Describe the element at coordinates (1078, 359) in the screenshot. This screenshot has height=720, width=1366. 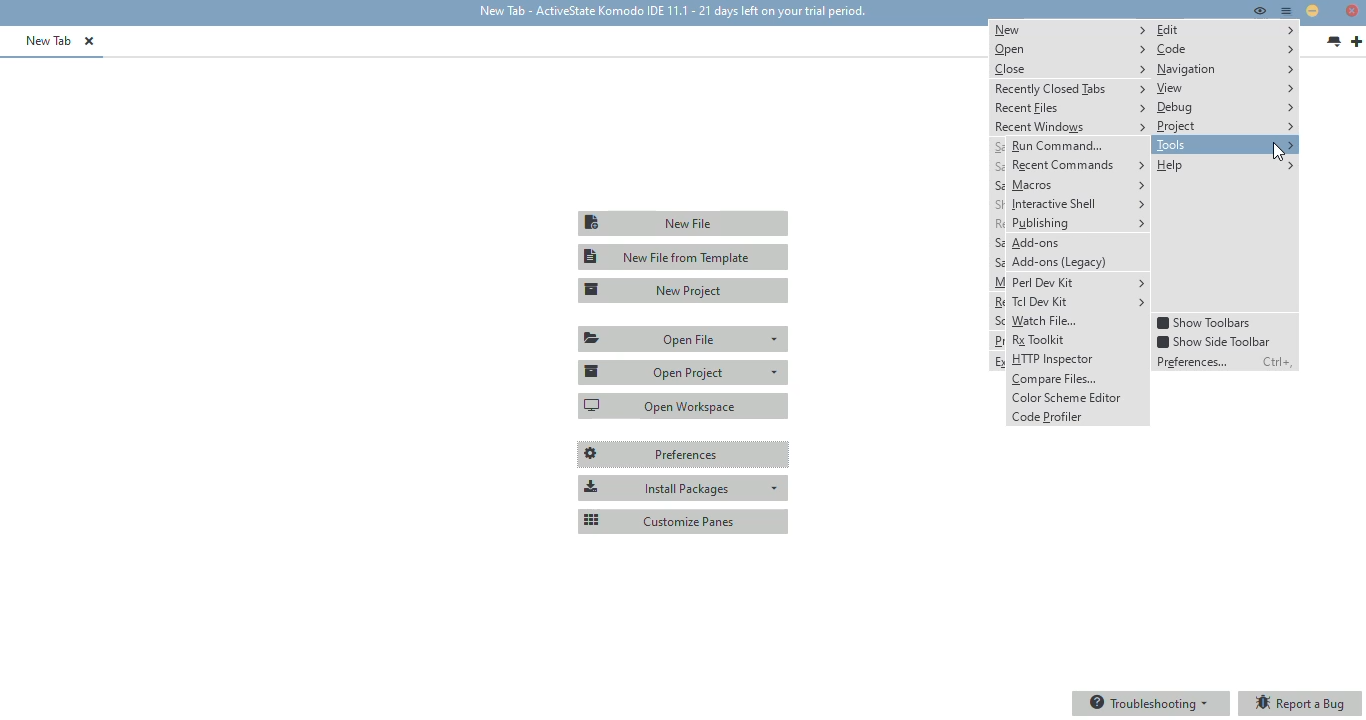
I see `HTTP Inspector` at that location.